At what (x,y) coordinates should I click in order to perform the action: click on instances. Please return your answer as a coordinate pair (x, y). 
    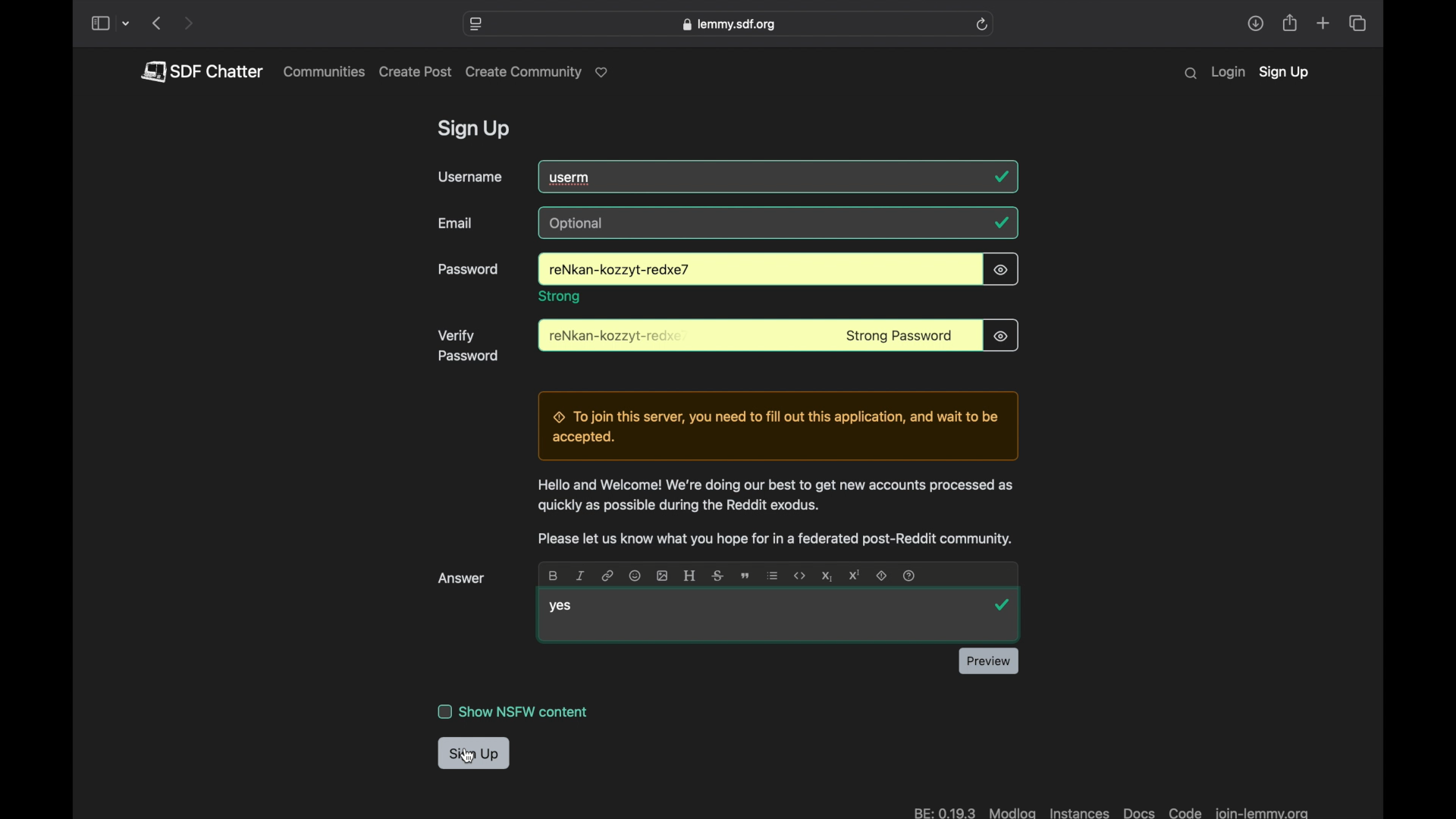
    Looking at the image, I should click on (1078, 811).